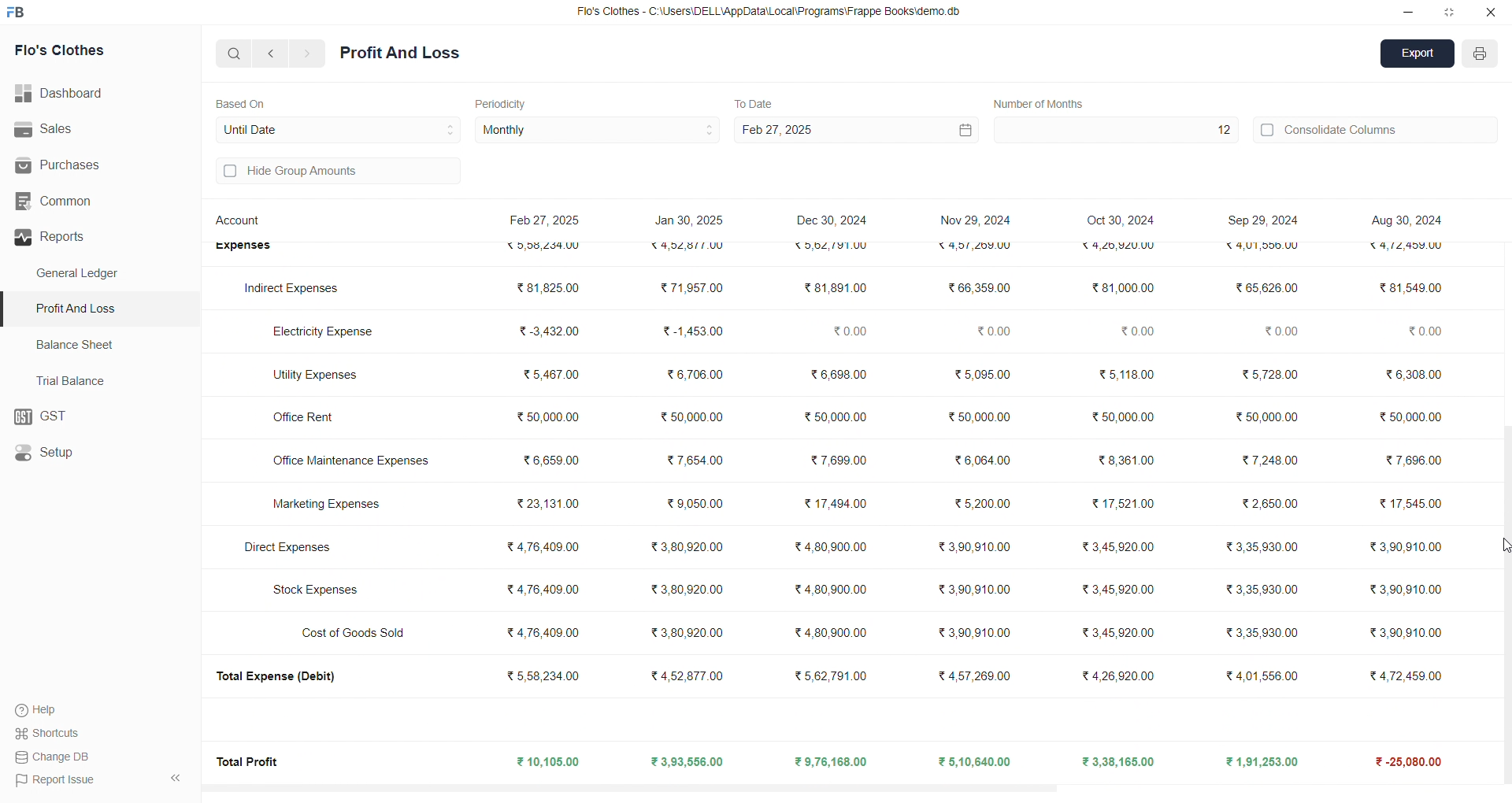 The height and width of the screenshot is (803, 1512). I want to click on ₹-1,453.00, so click(692, 331).